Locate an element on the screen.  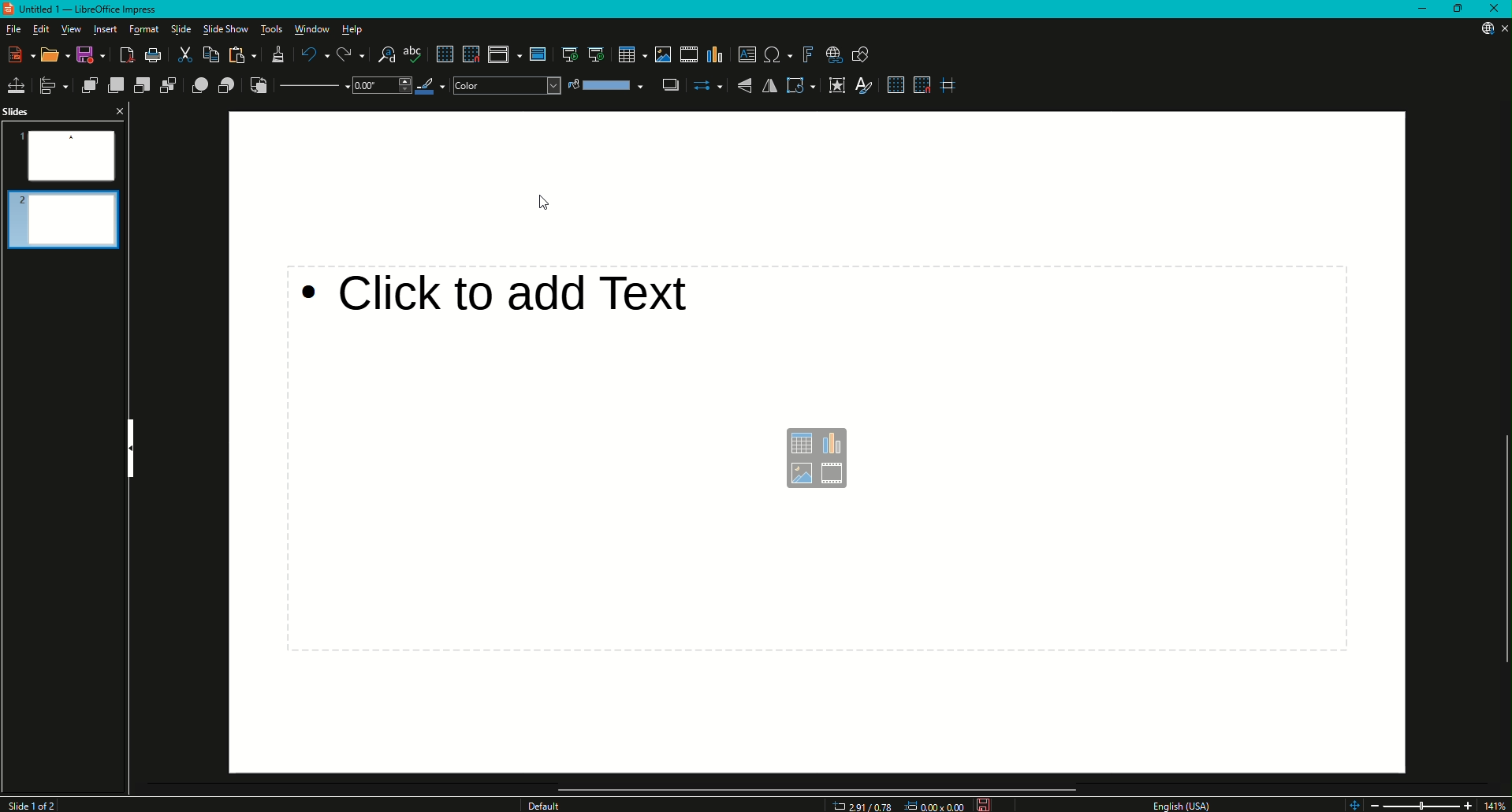
Start from first slide is located at coordinates (566, 53).